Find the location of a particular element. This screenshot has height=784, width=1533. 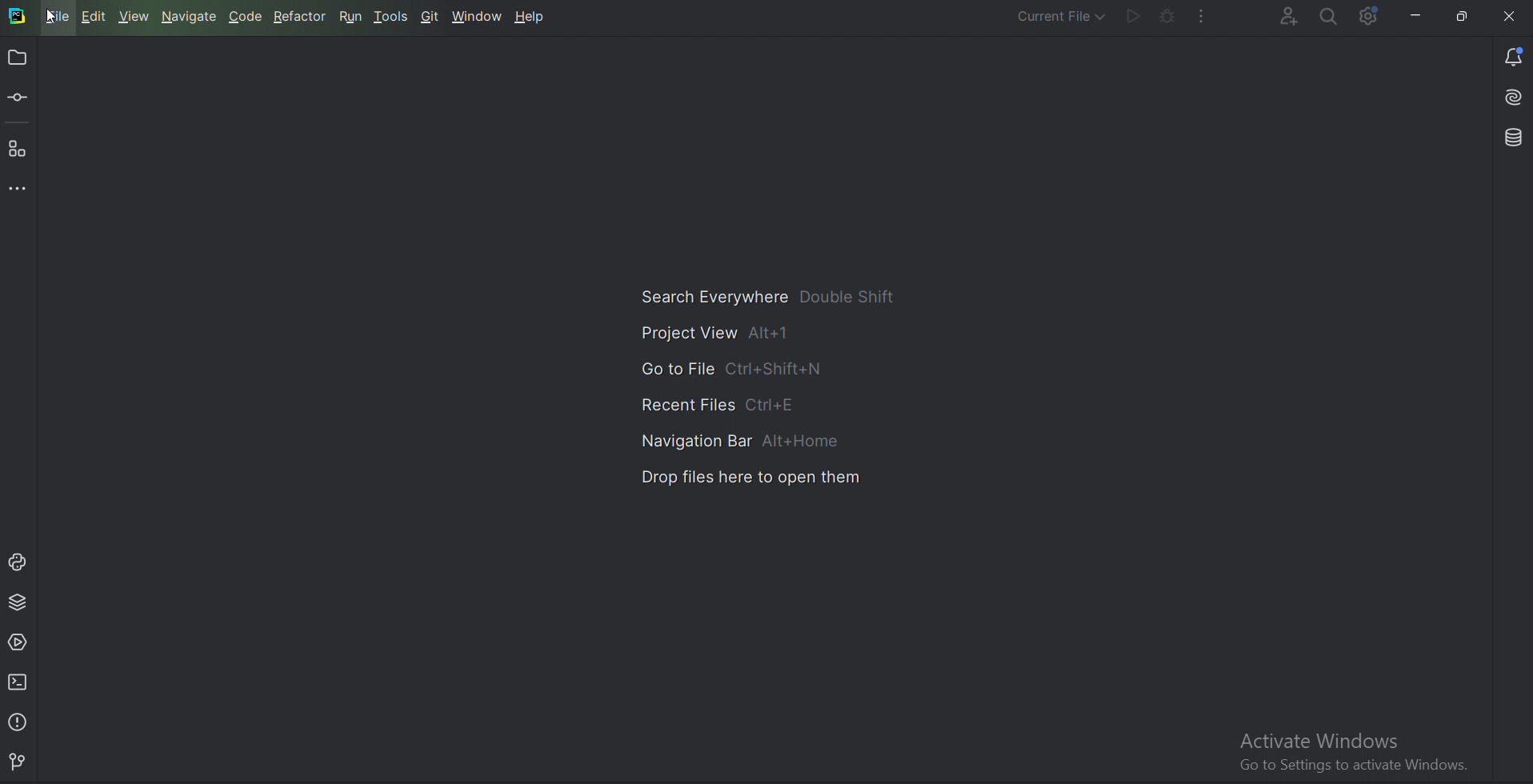

Refactor is located at coordinates (303, 16).